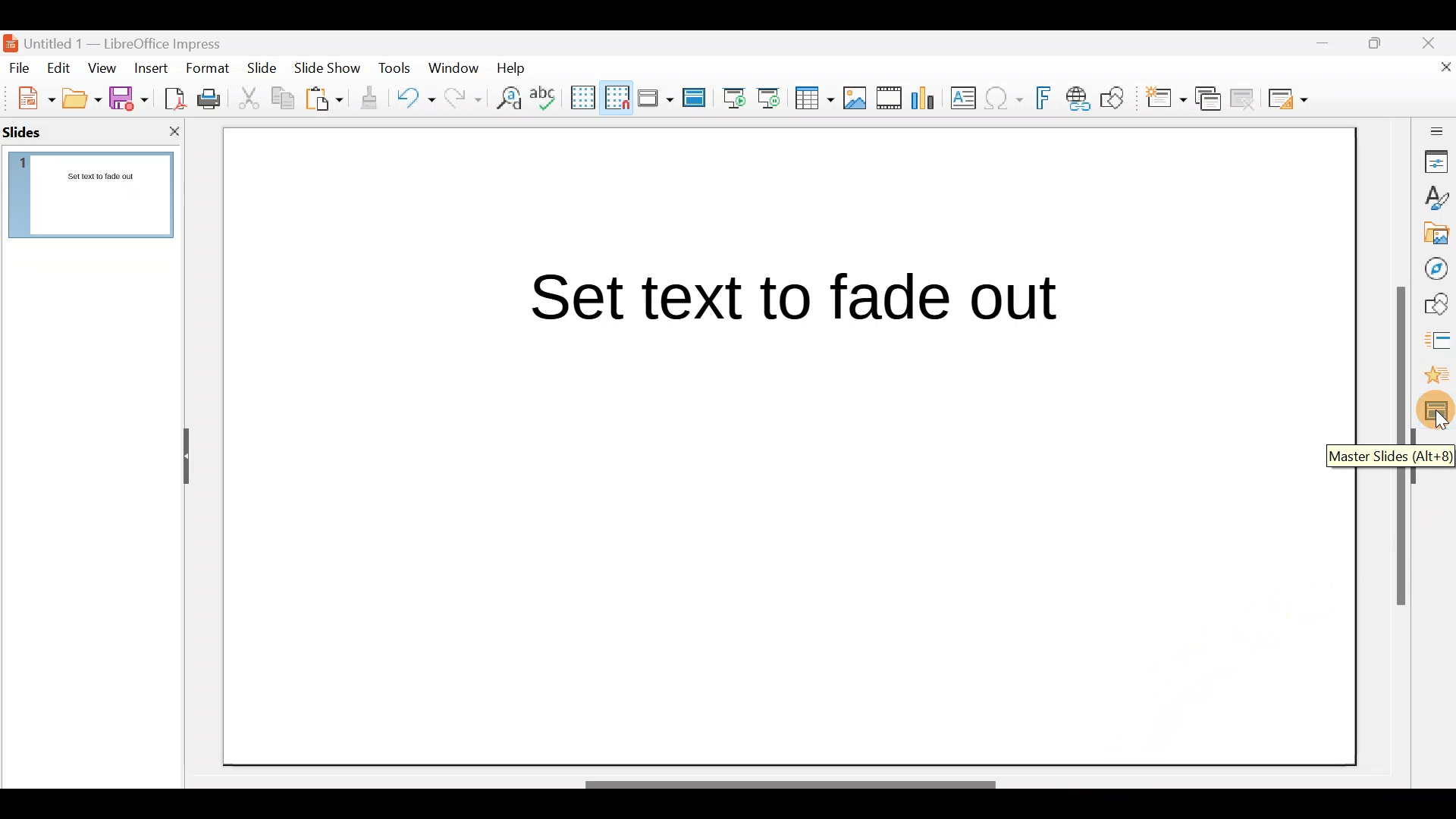  I want to click on Open, so click(82, 99).